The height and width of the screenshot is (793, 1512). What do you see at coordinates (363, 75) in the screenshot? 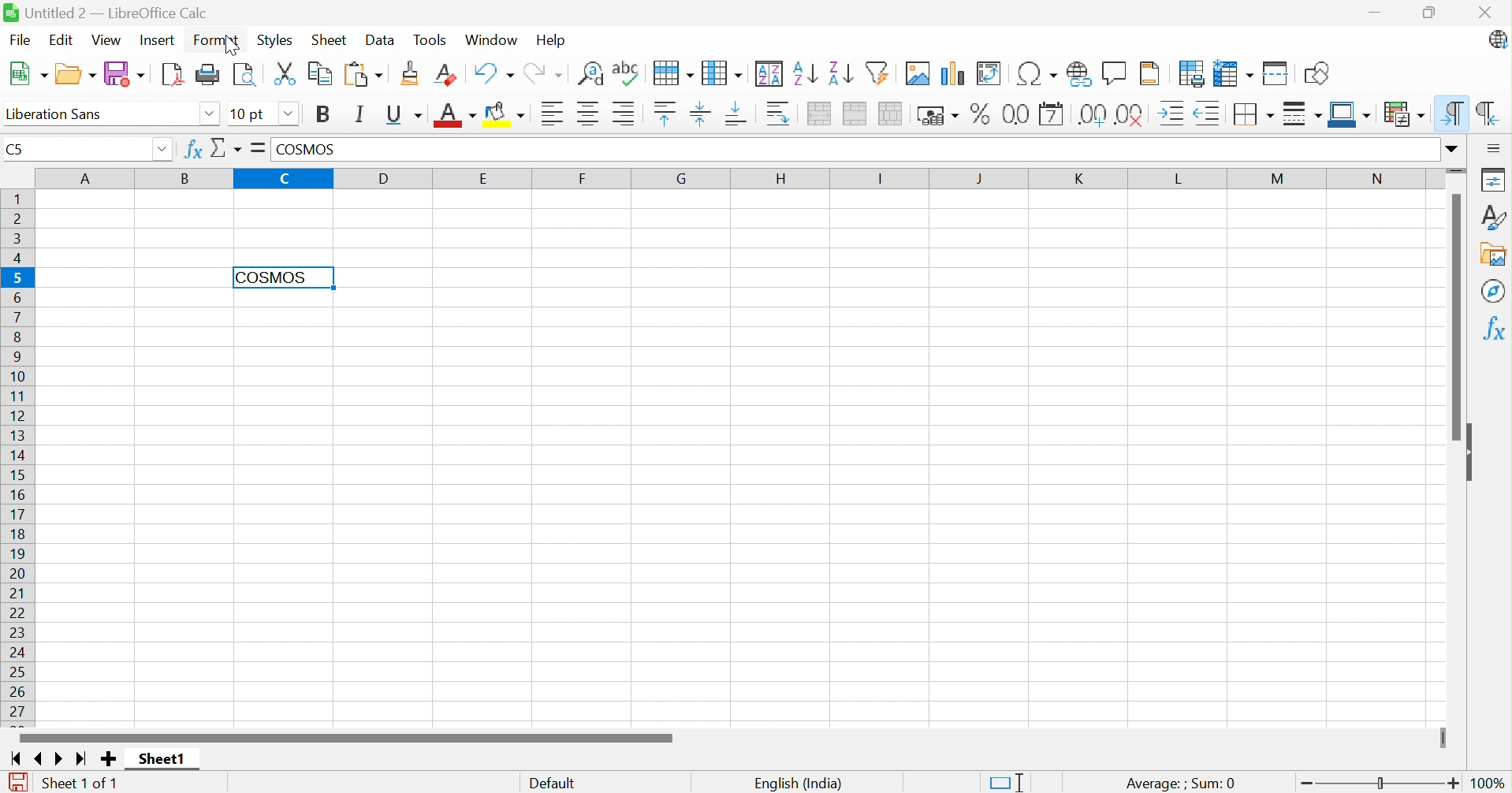
I see `Paste` at bounding box center [363, 75].